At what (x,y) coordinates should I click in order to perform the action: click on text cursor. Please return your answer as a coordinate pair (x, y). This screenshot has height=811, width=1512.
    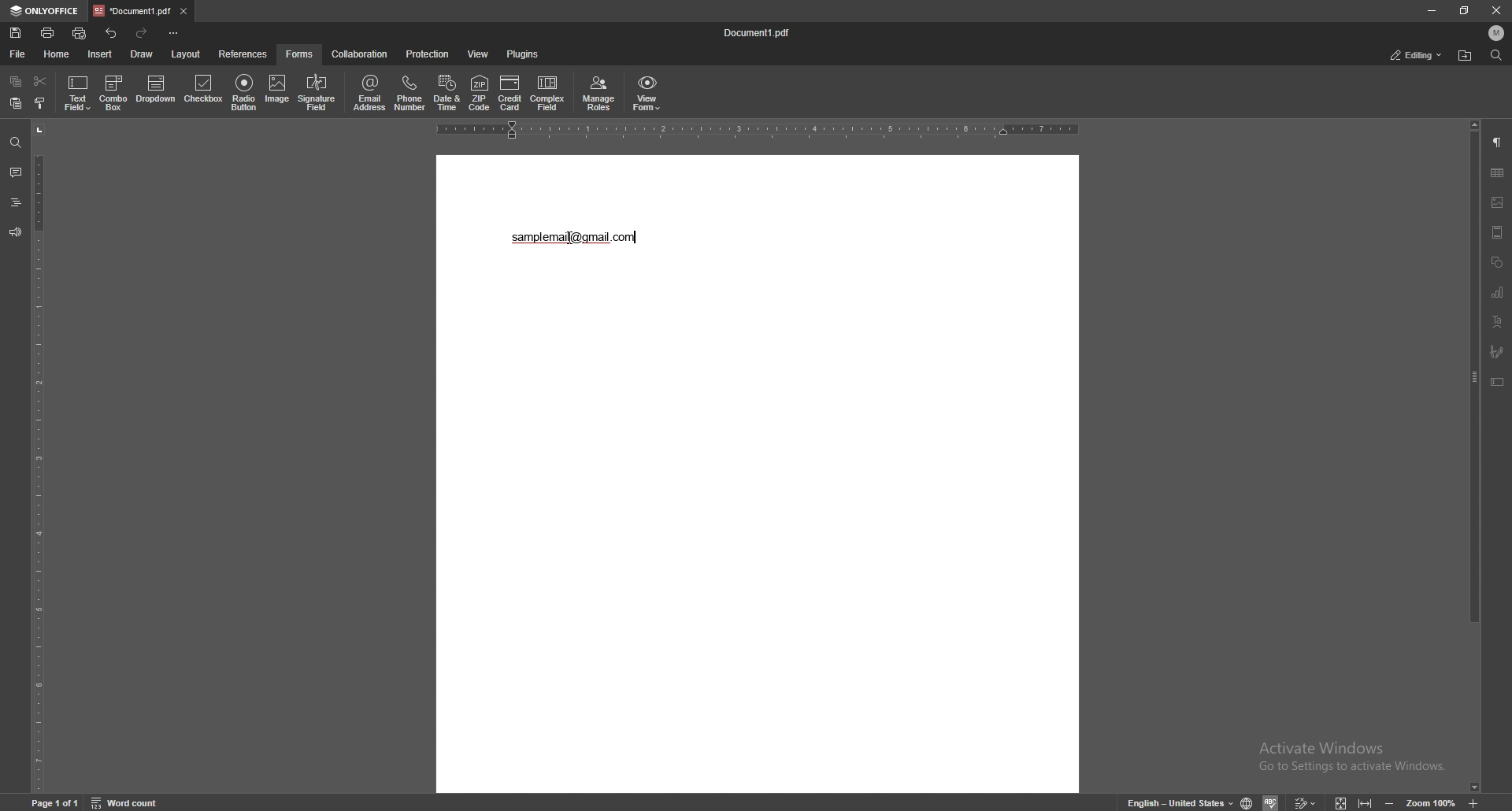
    Looking at the image, I should click on (573, 236).